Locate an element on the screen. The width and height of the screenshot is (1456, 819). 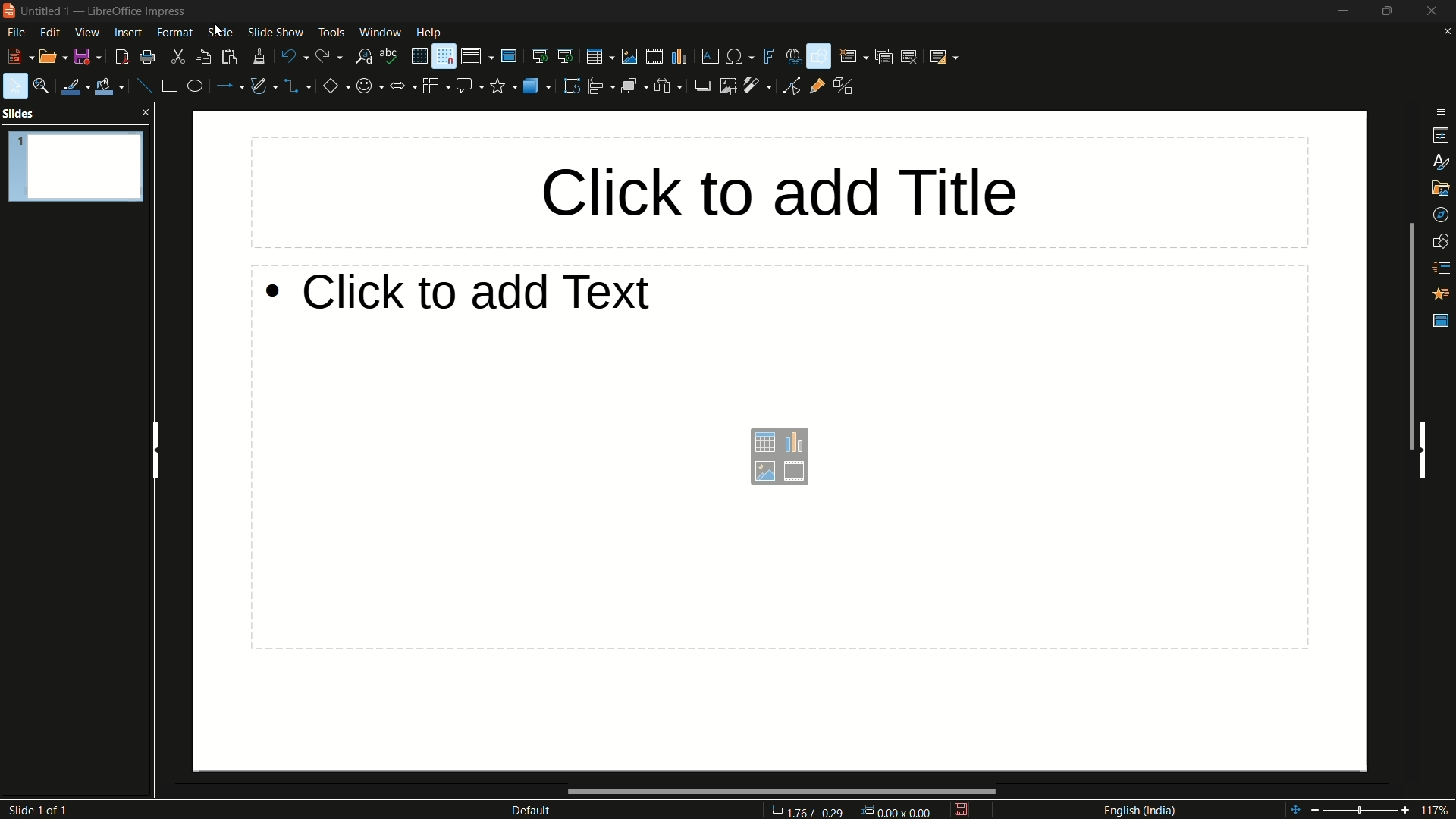
slides is located at coordinates (22, 115).